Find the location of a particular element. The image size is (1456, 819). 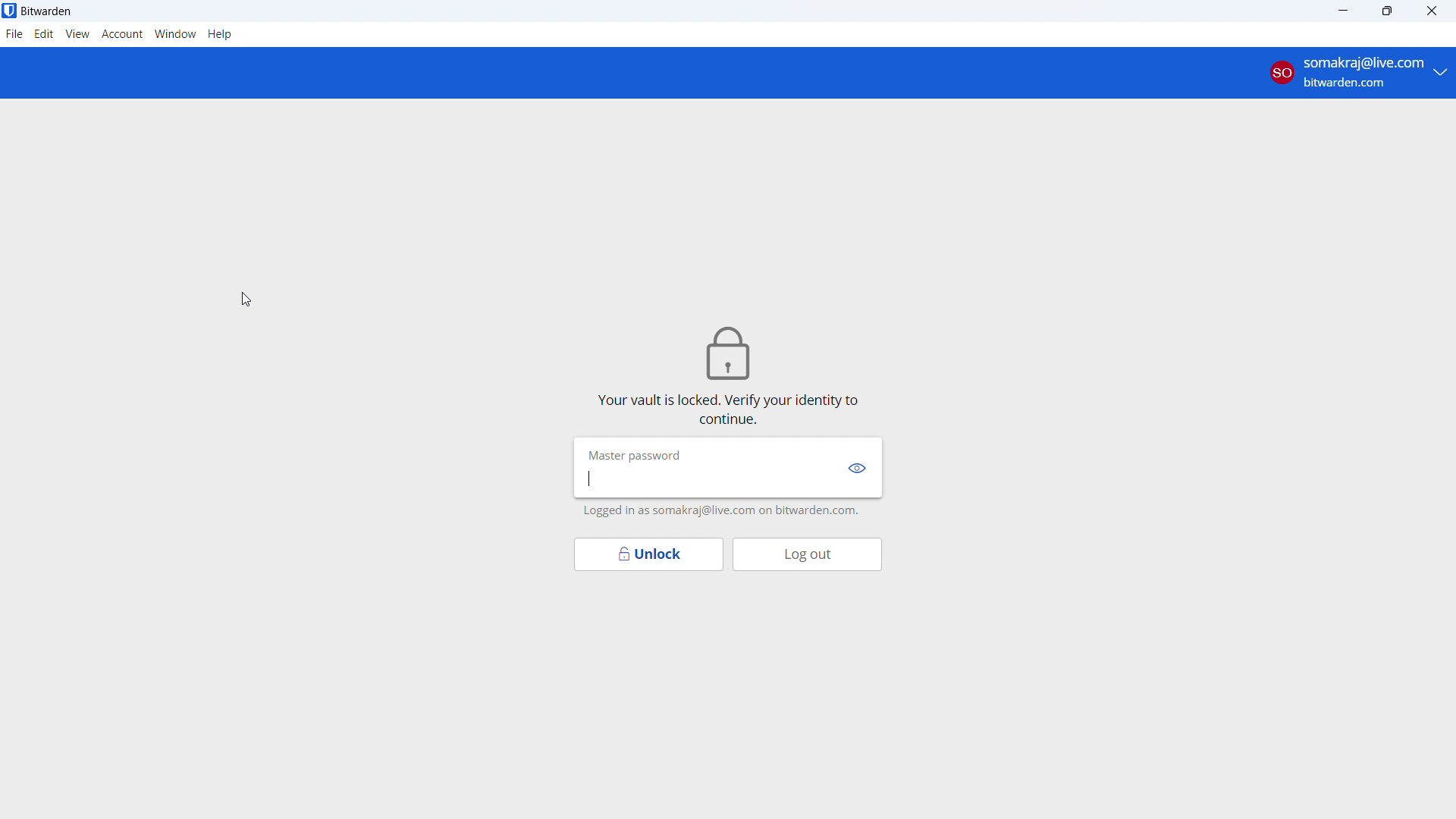

close is located at coordinates (1432, 11).